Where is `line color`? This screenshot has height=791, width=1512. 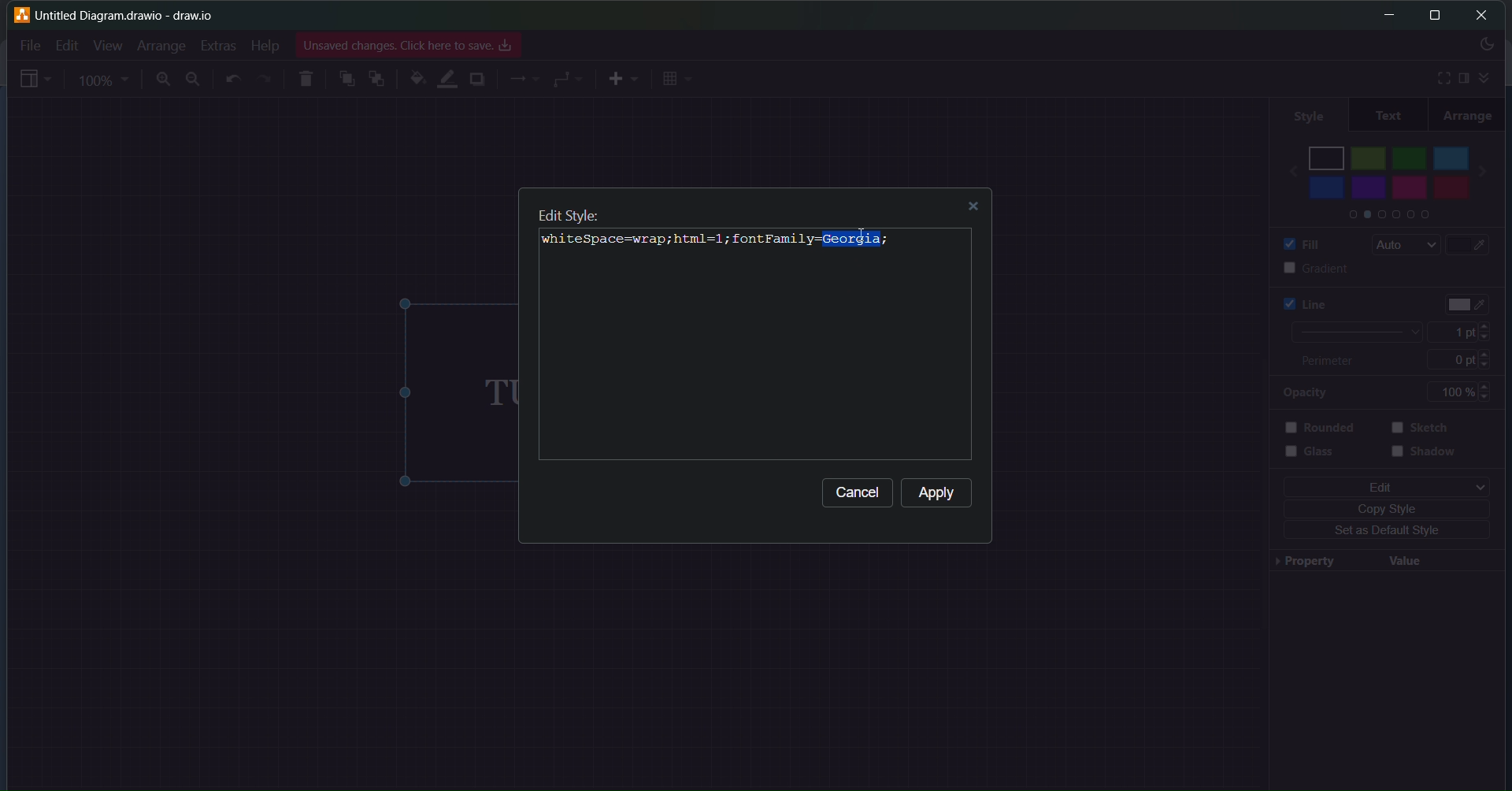 line color is located at coordinates (447, 77).